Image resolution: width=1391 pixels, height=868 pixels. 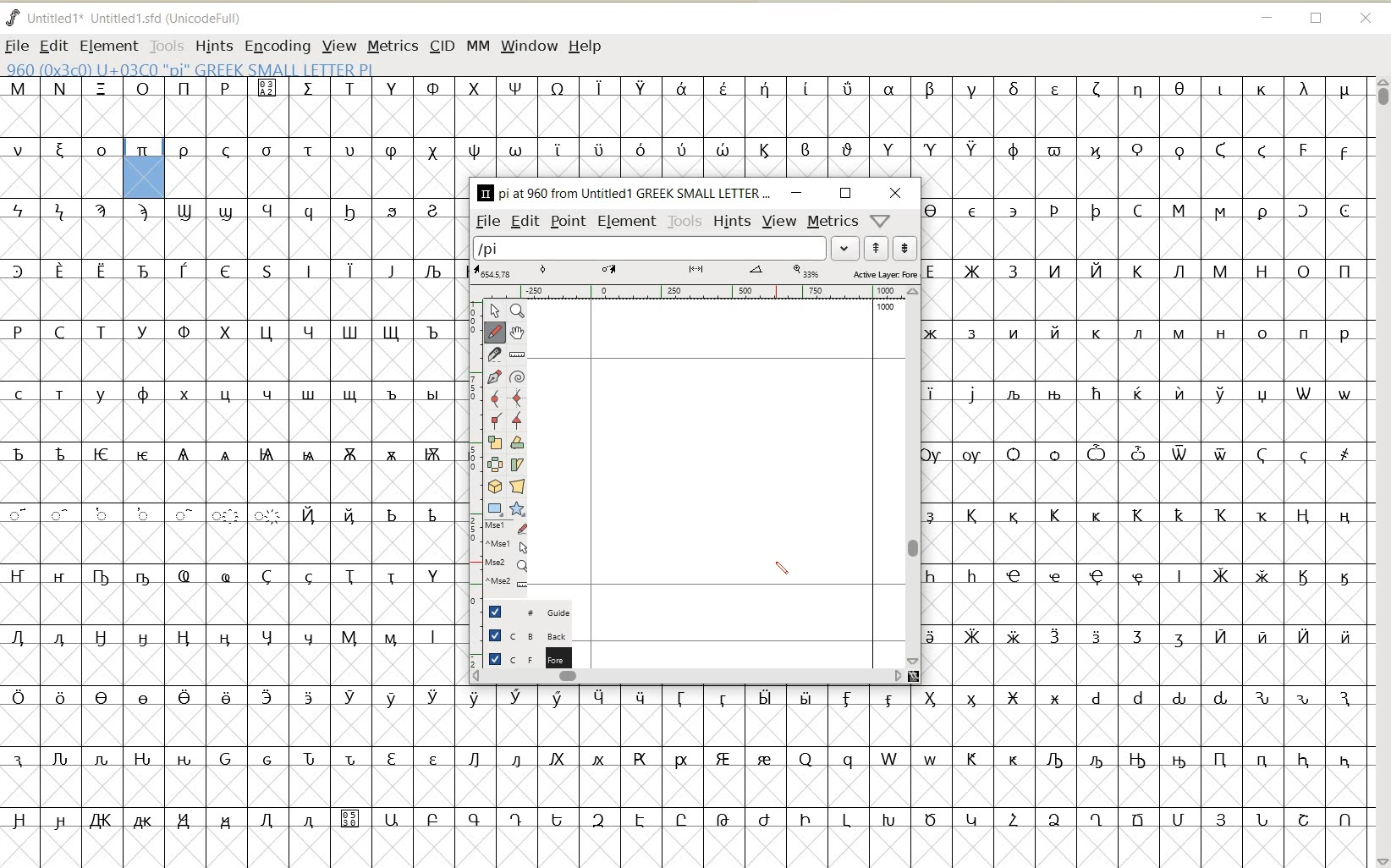 What do you see at coordinates (889, 248) in the screenshot?
I see `show previous/next word list` at bounding box center [889, 248].